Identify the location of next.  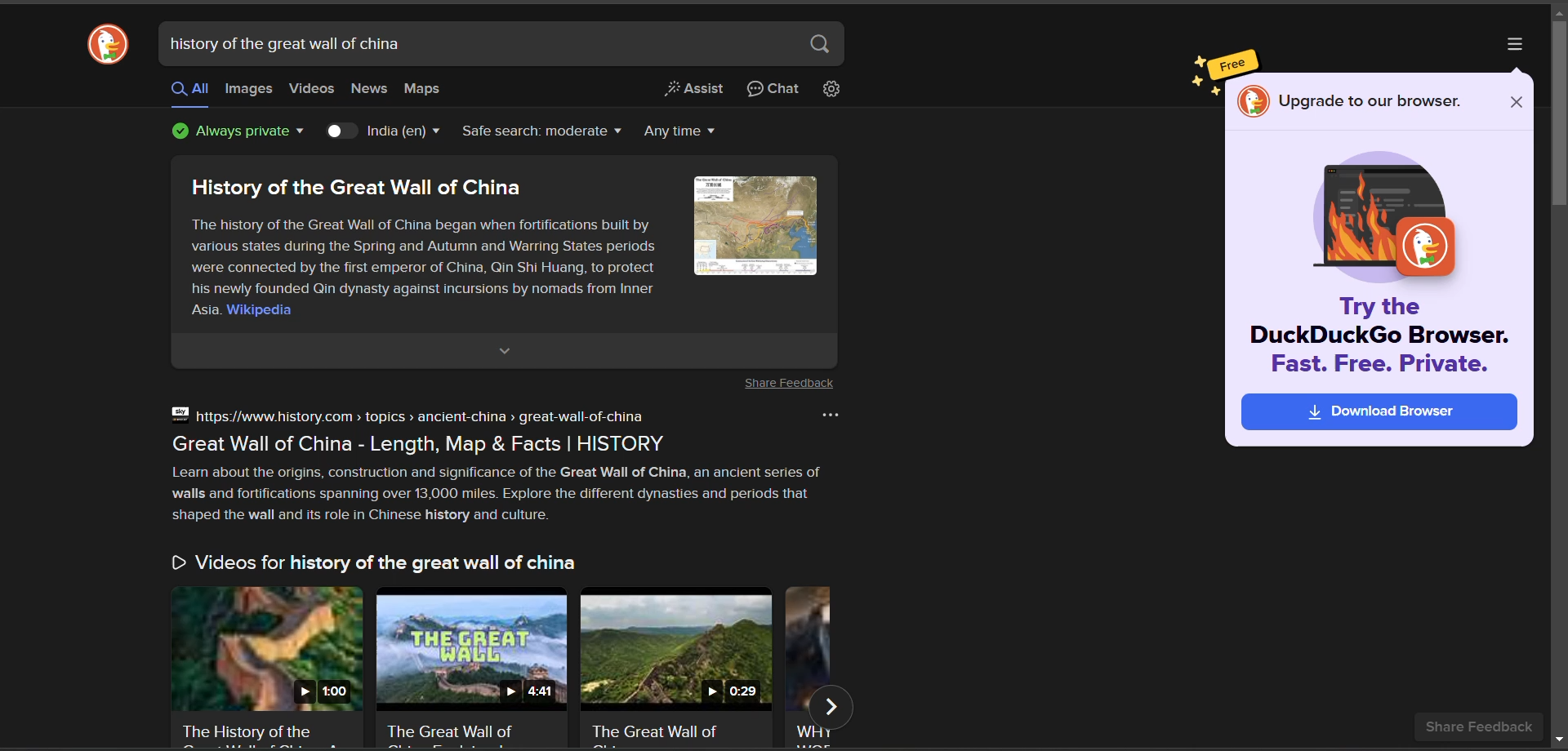
(834, 709).